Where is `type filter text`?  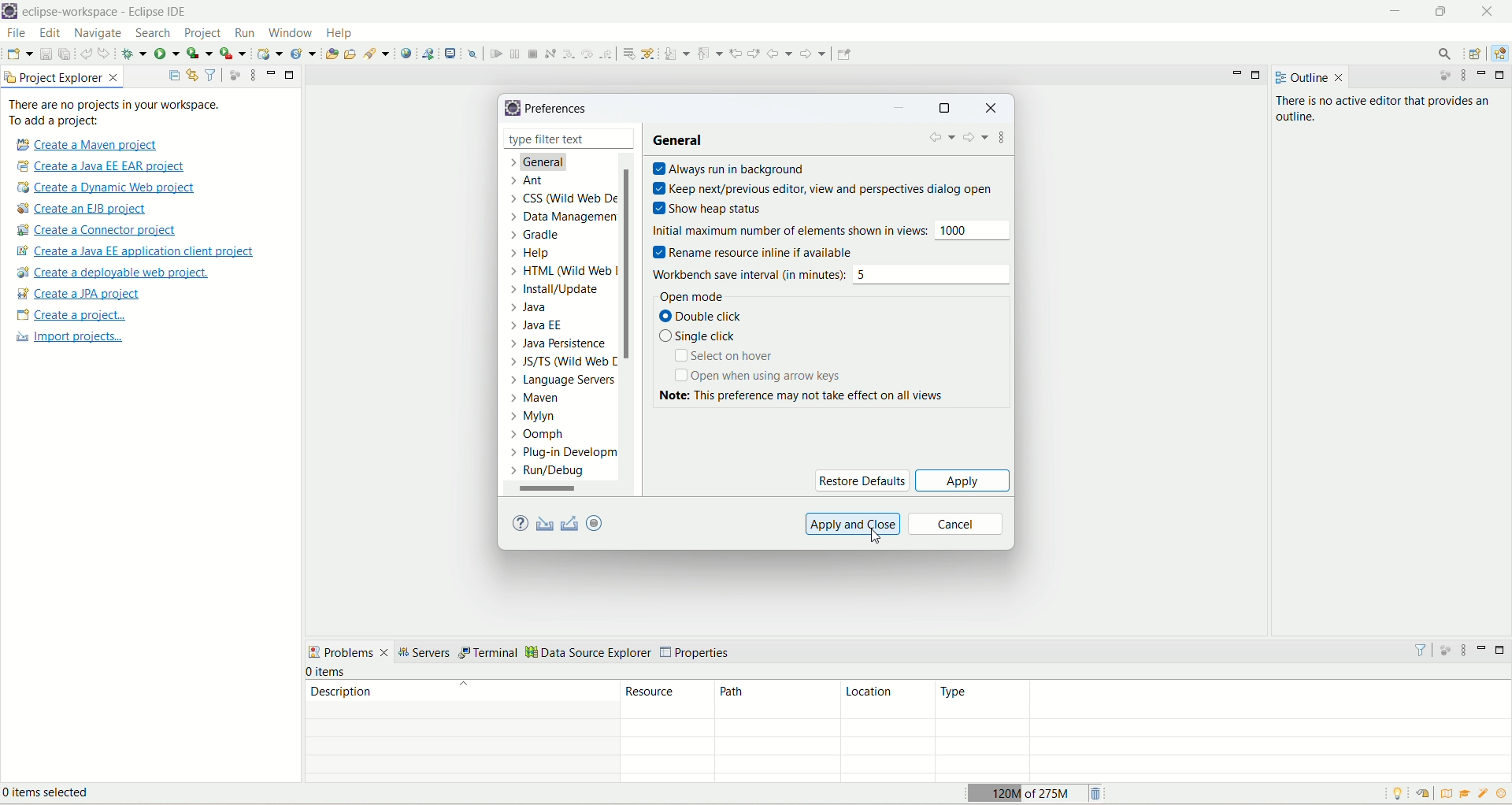 type filter text is located at coordinates (559, 139).